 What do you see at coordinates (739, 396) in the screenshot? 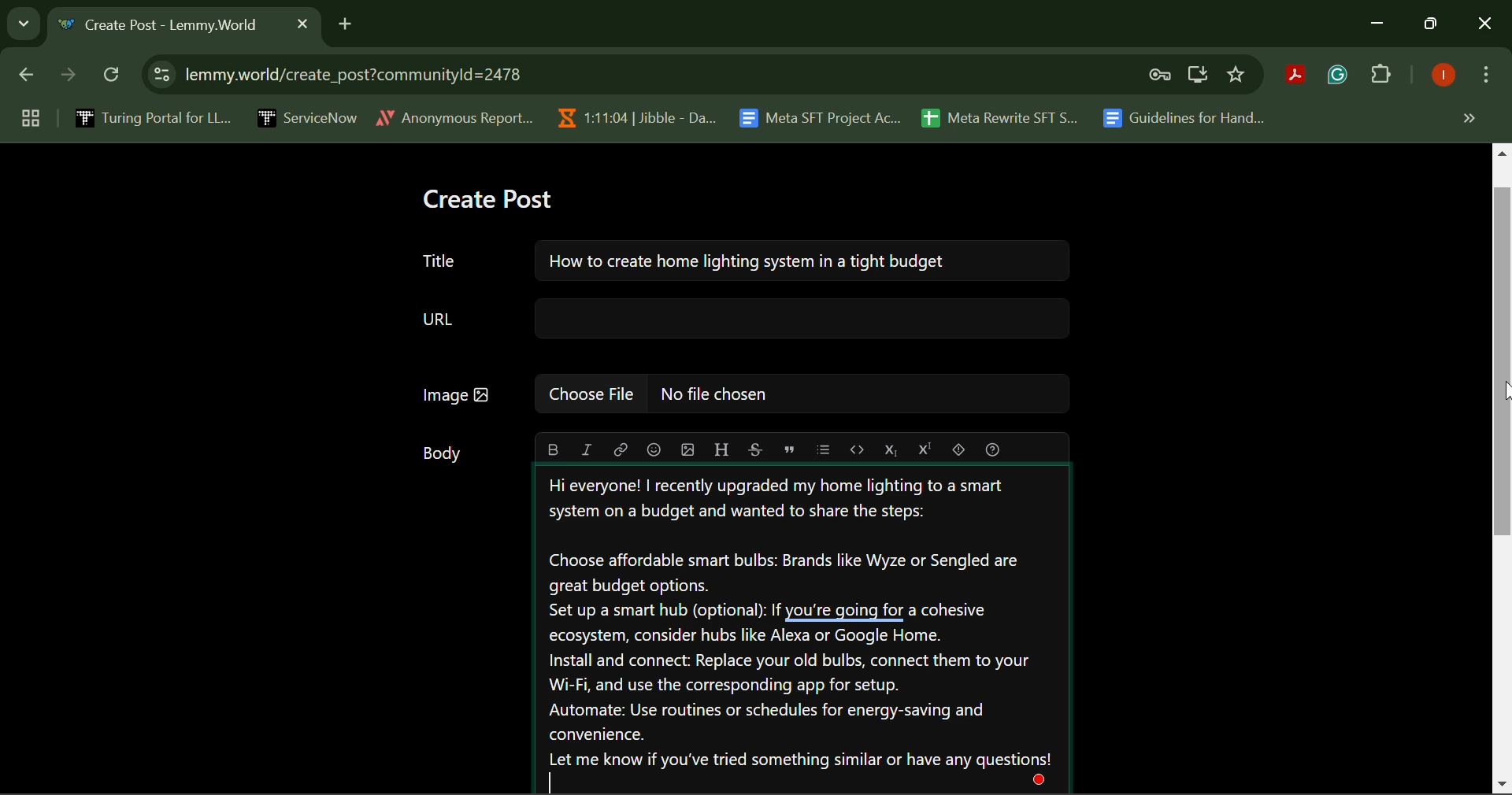
I see `Image Upload Box` at bounding box center [739, 396].